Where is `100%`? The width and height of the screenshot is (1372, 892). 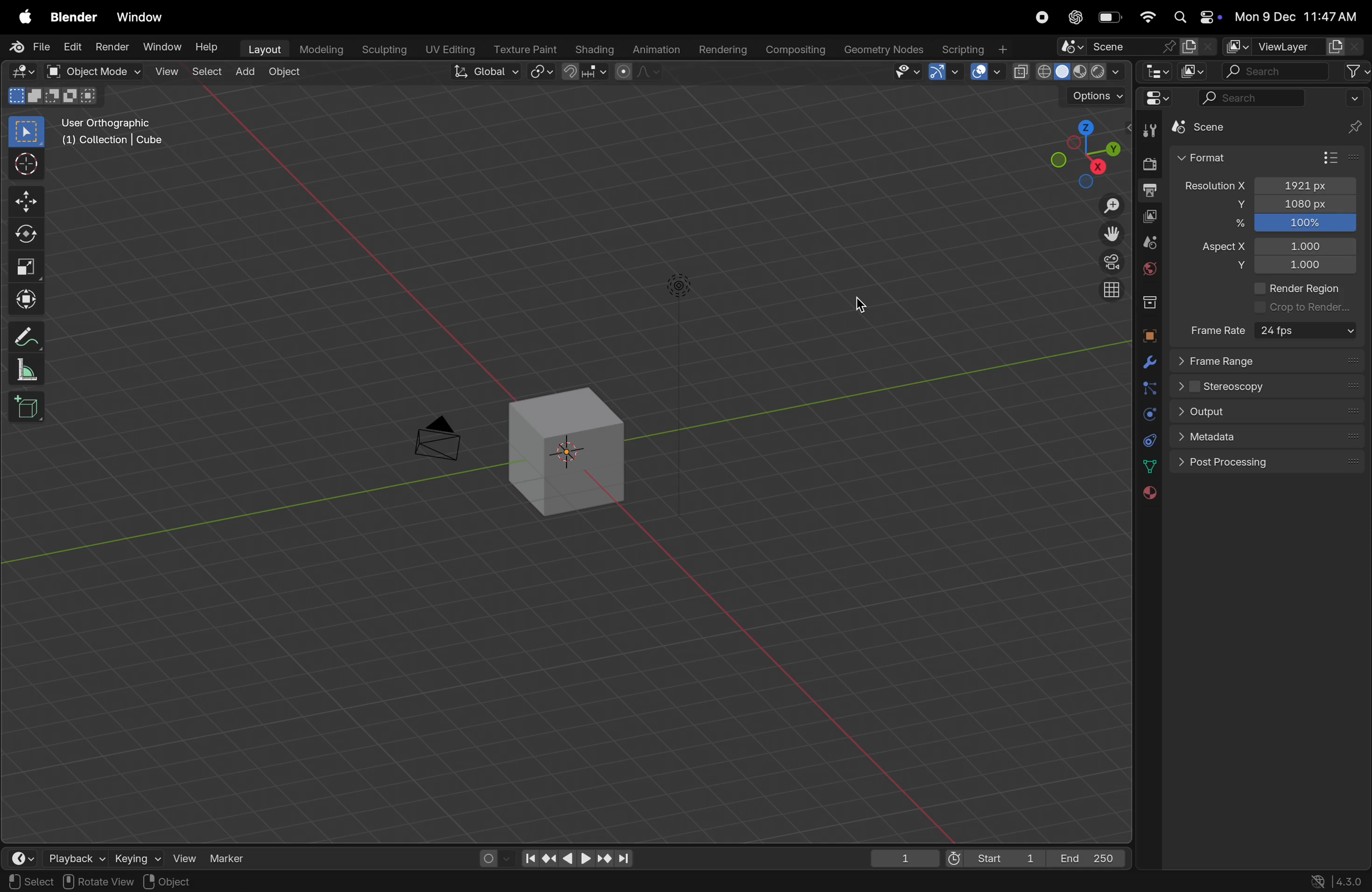
100% is located at coordinates (1305, 224).